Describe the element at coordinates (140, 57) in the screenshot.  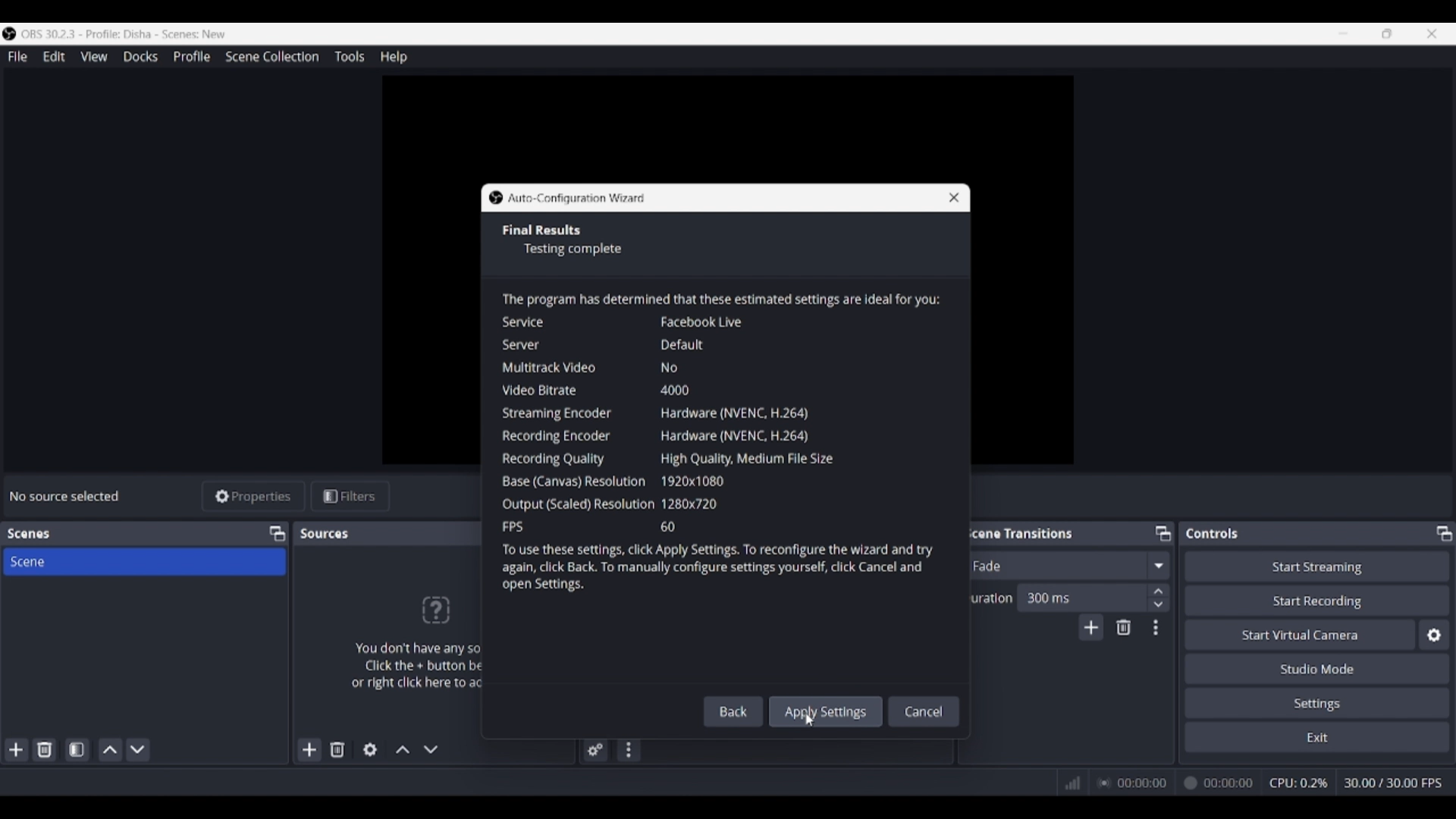
I see `Docks menu` at that location.